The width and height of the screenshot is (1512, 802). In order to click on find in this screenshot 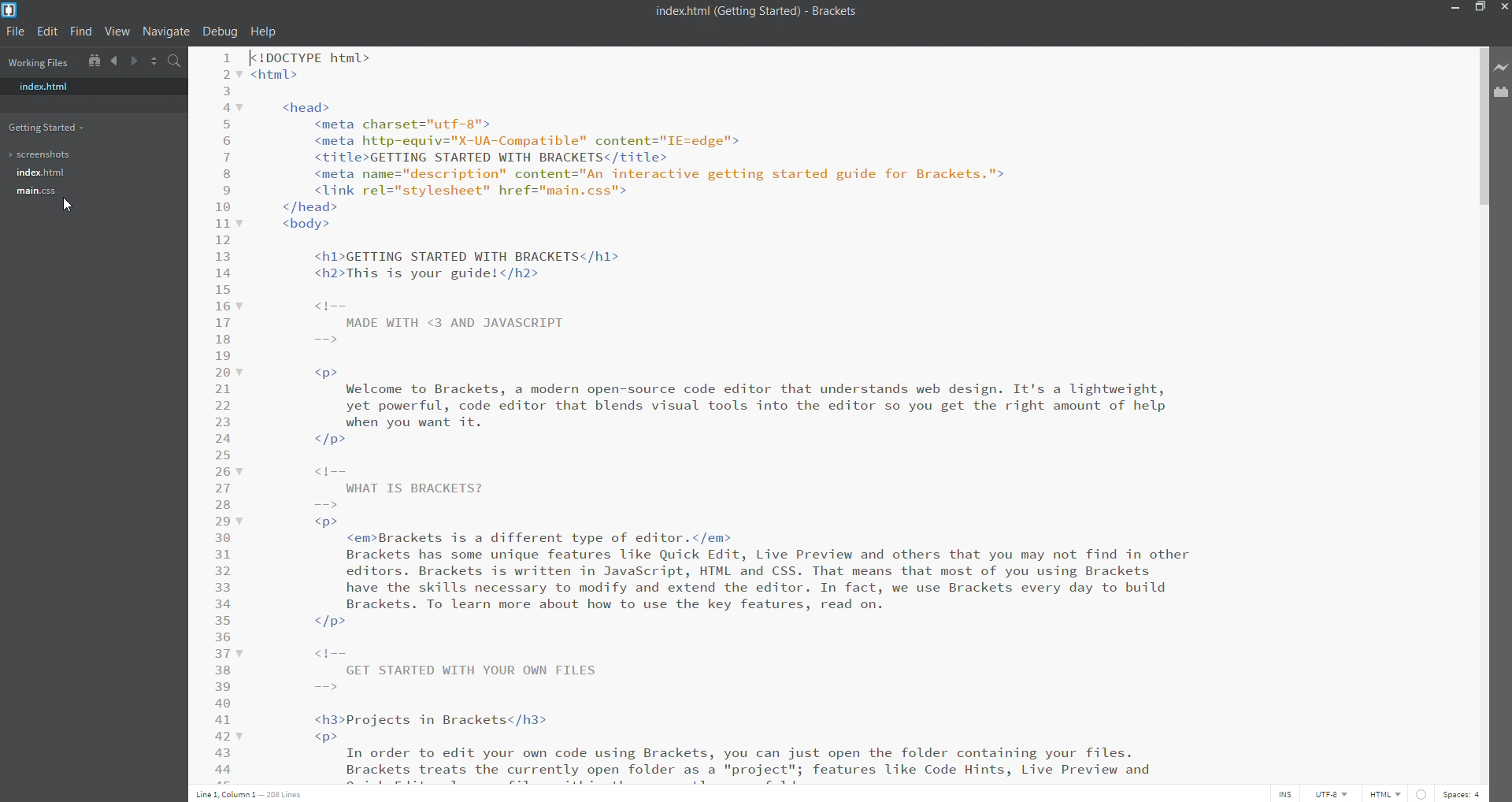, I will do `click(81, 31)`.